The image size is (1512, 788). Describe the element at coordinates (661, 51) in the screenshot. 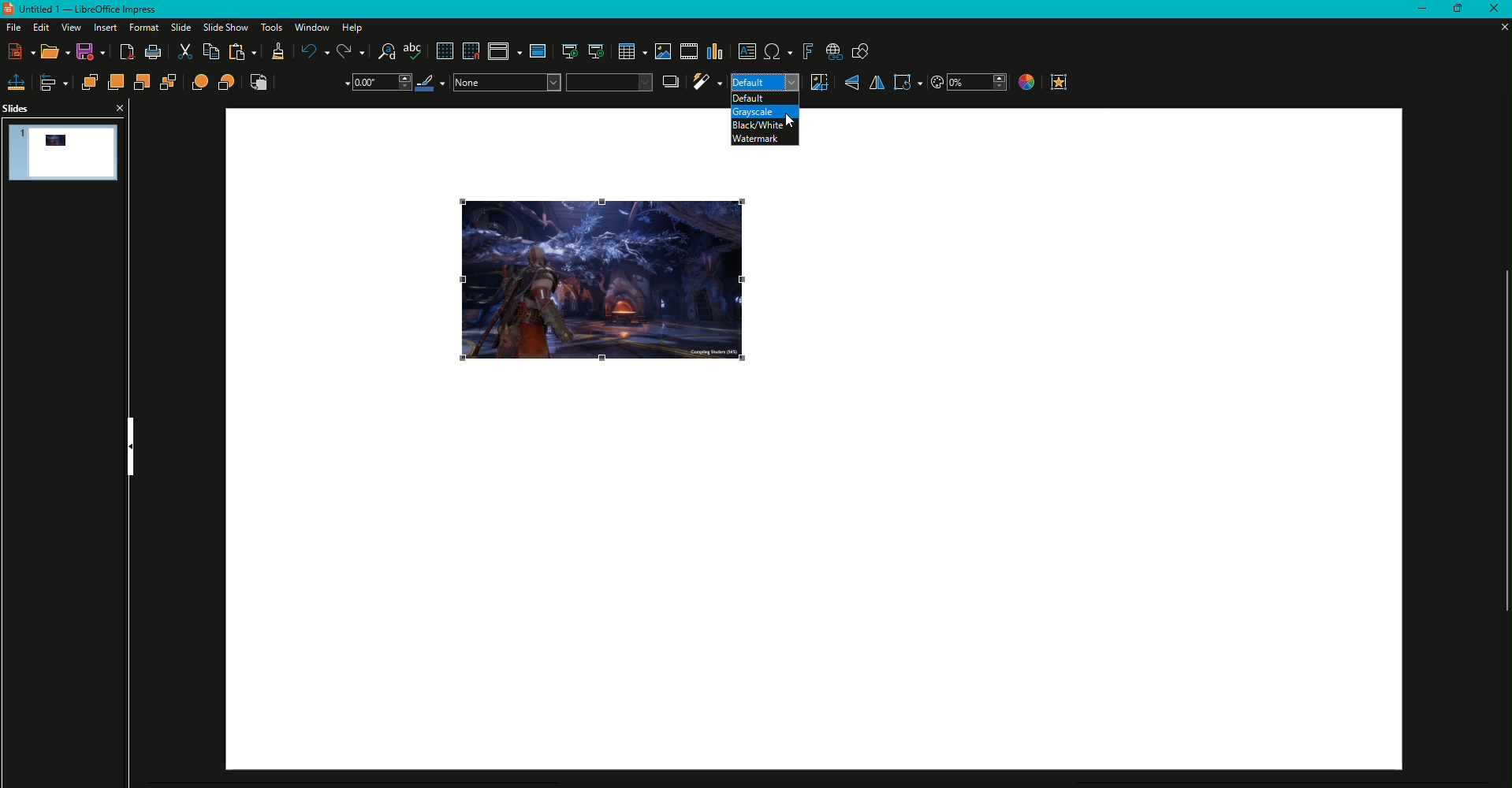

I see `Insert Image` at that location.